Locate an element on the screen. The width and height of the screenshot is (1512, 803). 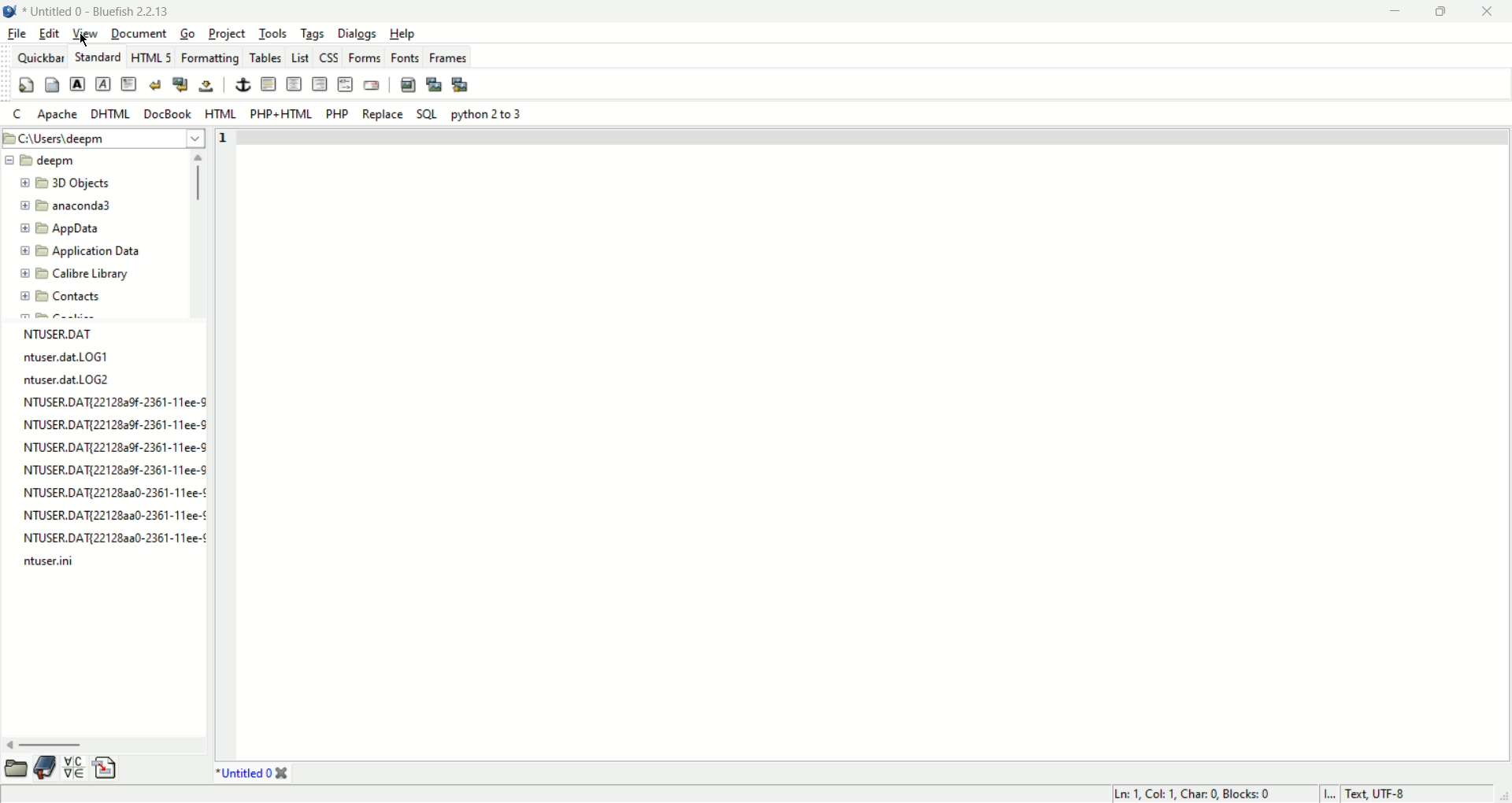
edit is located at coordinates (50, 33).